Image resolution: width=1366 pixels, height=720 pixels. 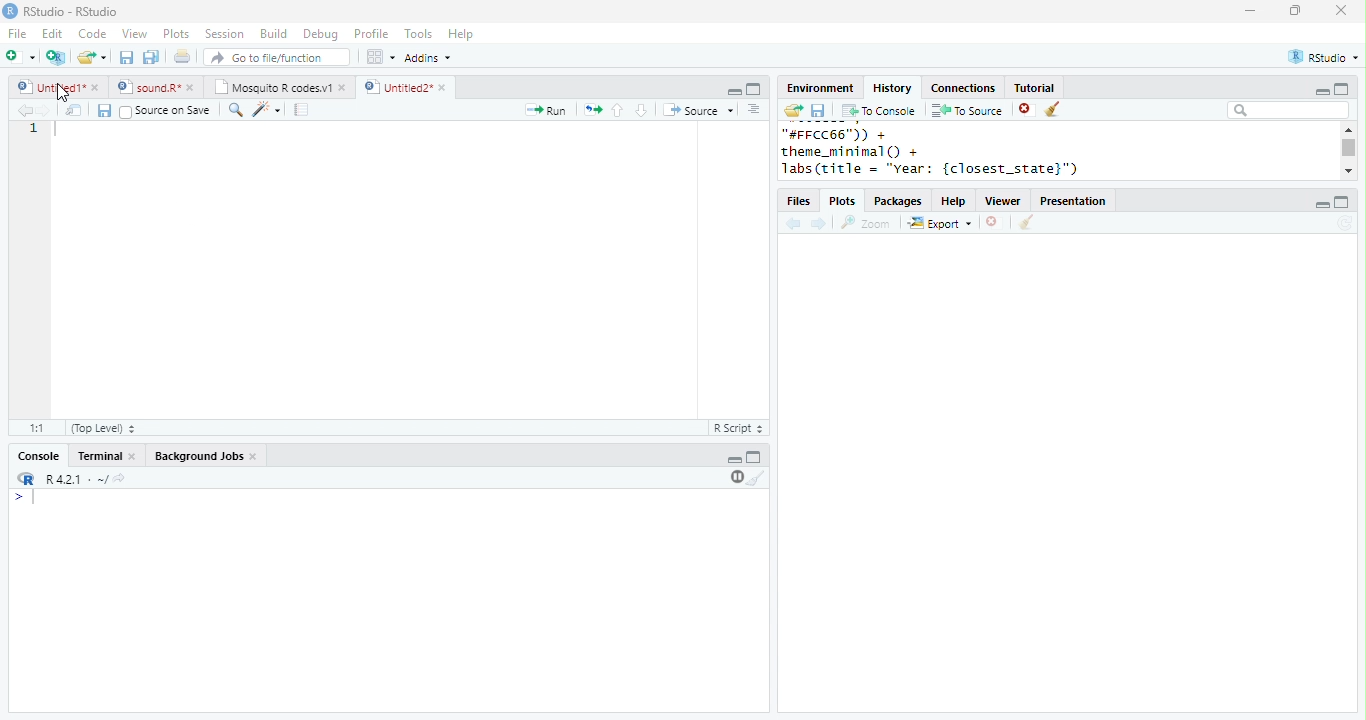 What do you see at coordinates (344, 89) in the screenshot?
I see `close` at bounding box center [344, 89].